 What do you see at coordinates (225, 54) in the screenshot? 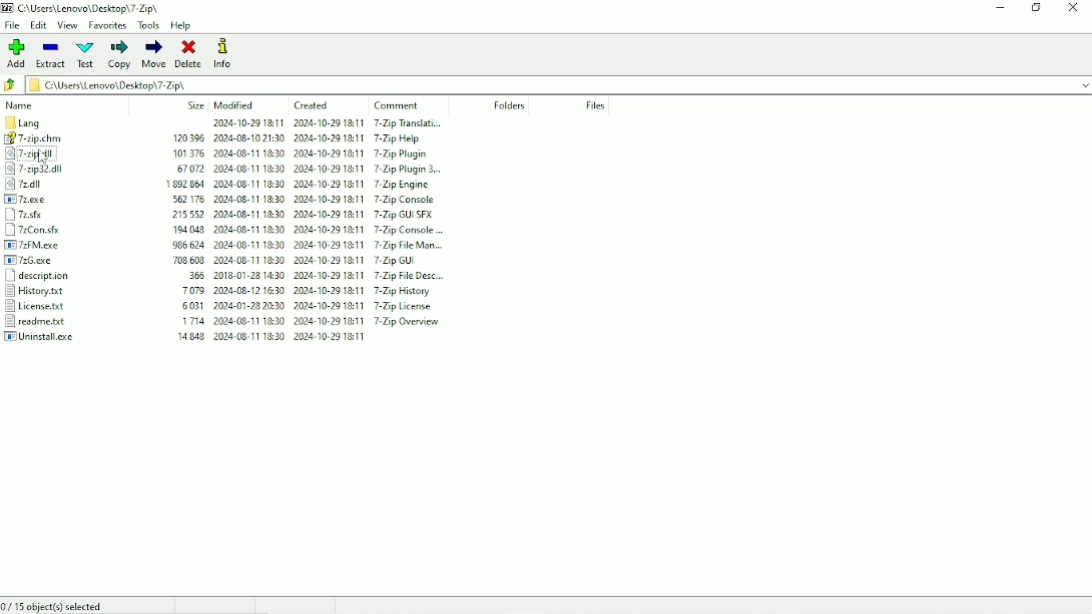
I see `Info` at bounding box center [225, 54].